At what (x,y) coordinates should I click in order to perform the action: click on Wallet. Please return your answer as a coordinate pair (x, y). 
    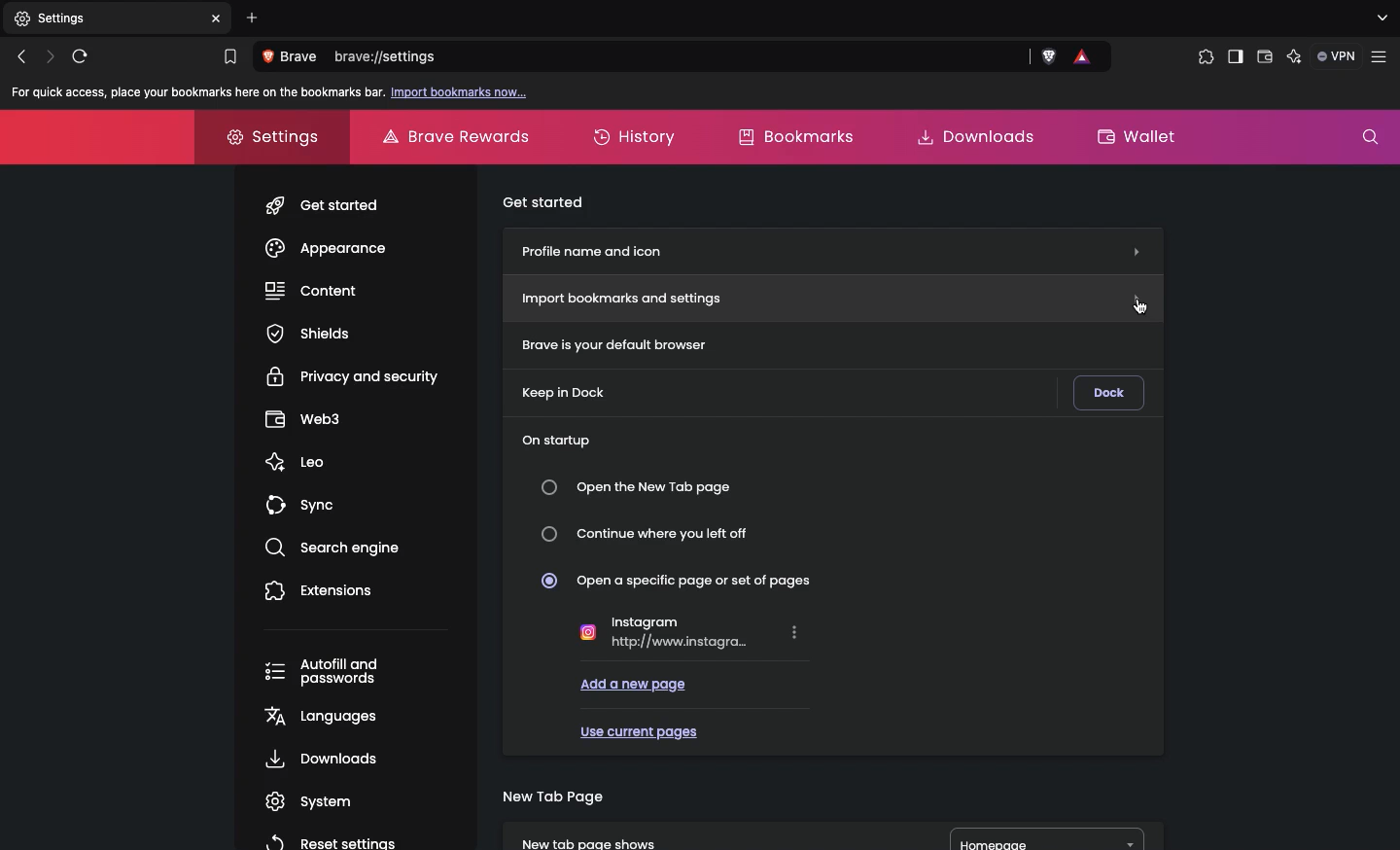
    Looking at the image, I should click on (1138, 134).